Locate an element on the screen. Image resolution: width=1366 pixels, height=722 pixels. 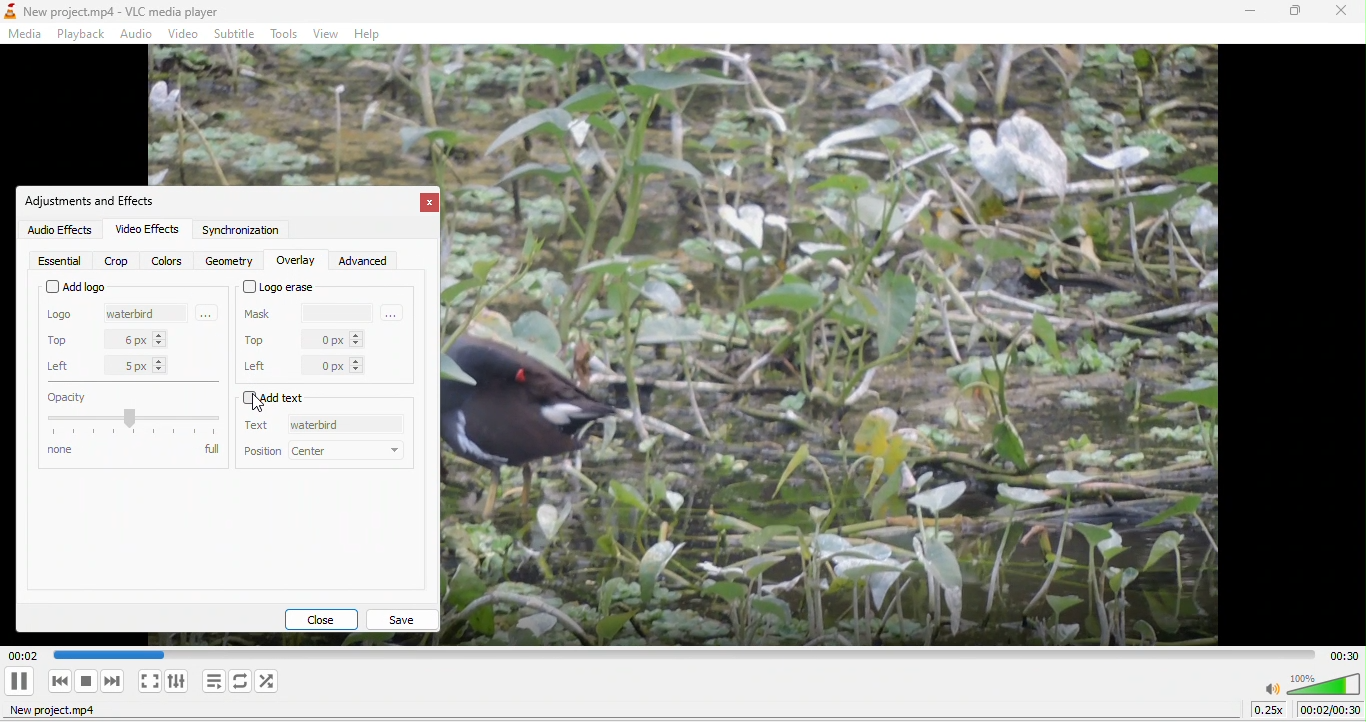
total time is located at coordinates (1339, 654).